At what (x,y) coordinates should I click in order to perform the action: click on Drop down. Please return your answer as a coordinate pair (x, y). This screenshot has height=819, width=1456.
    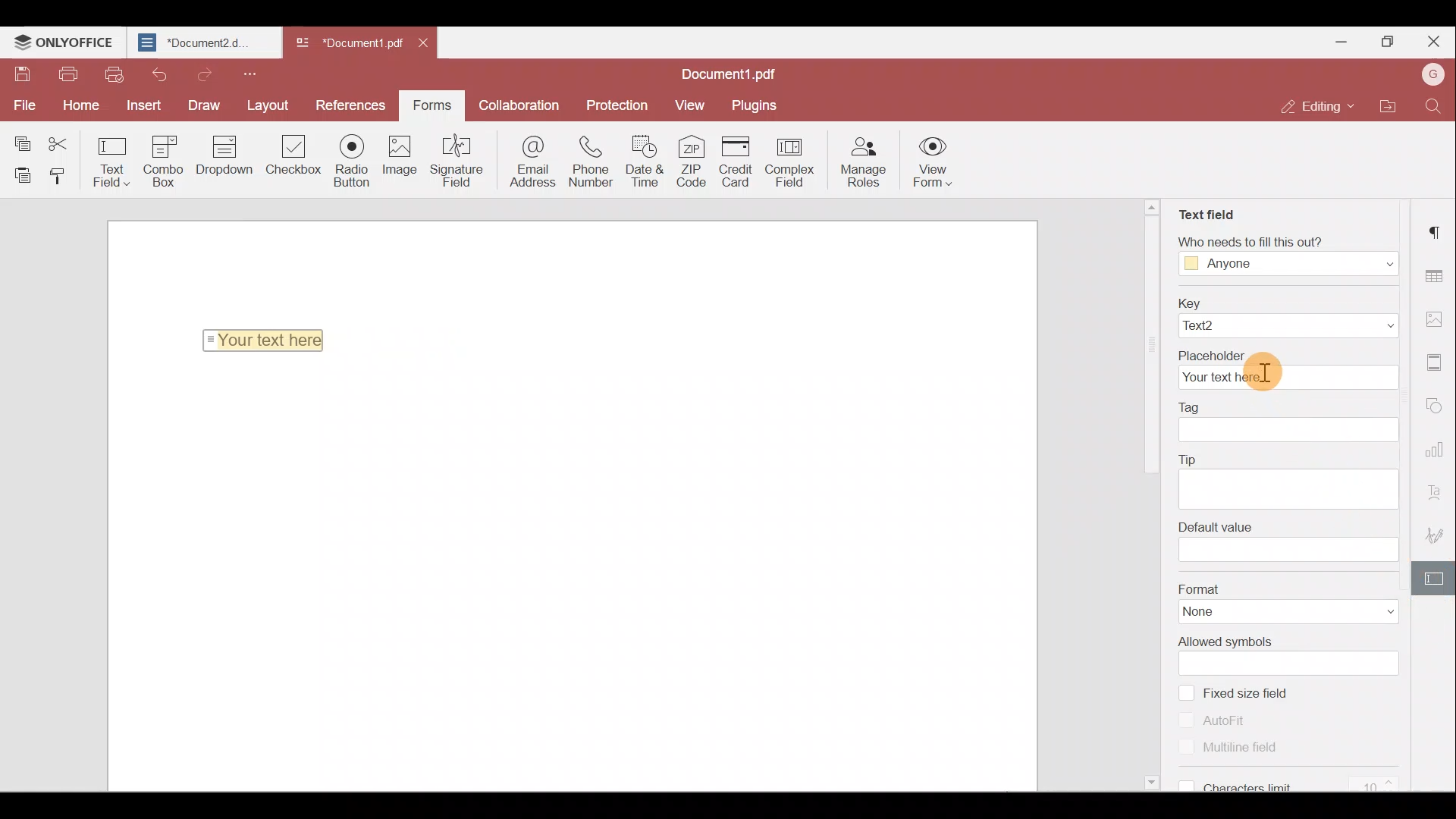
    Looking at the image, I should click on (231, 157).